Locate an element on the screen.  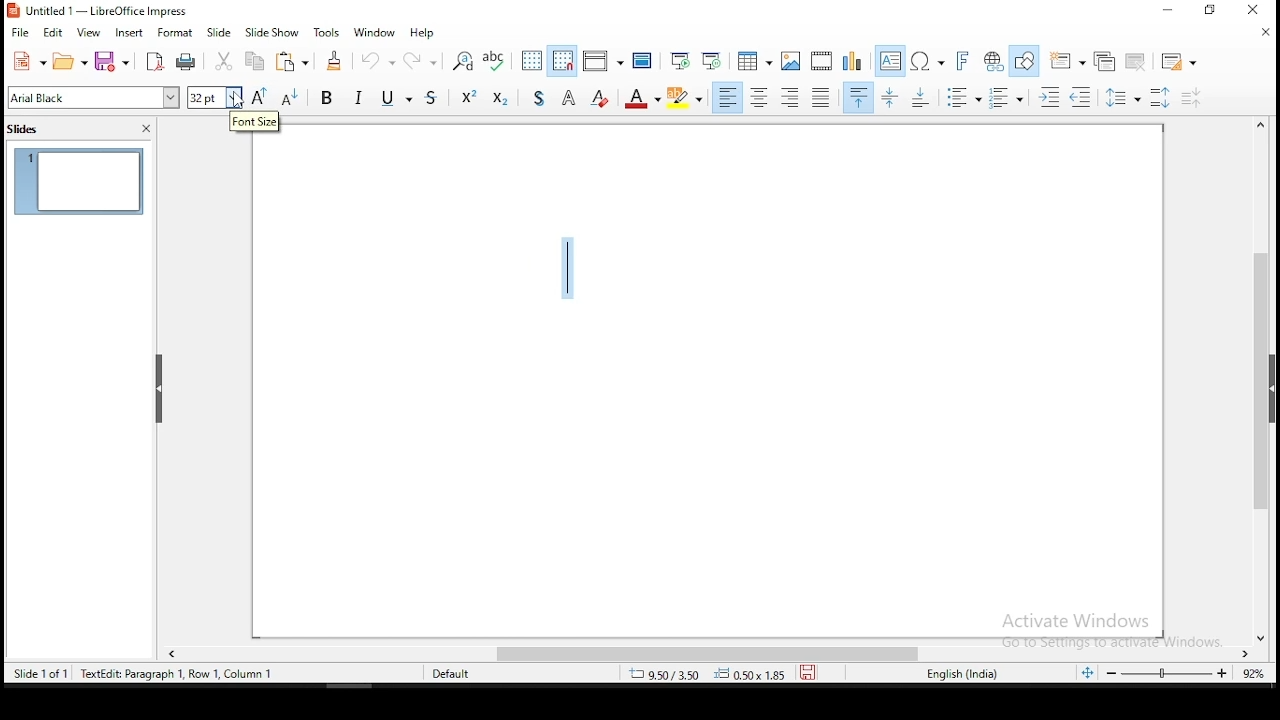
icon and file name is located at coordinates (106, 11).